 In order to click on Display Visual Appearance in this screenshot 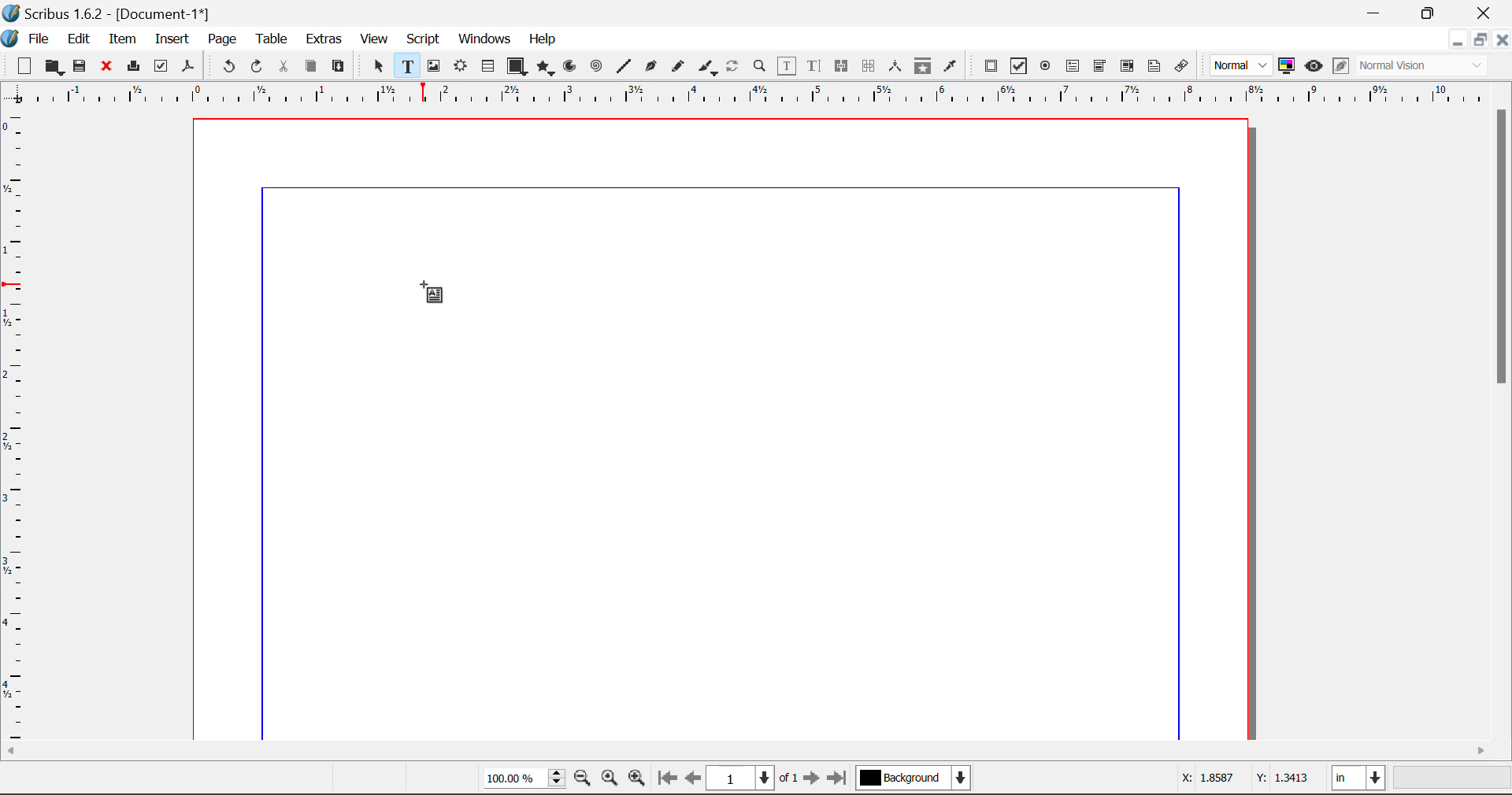, I will do `click(1428, 66)`.